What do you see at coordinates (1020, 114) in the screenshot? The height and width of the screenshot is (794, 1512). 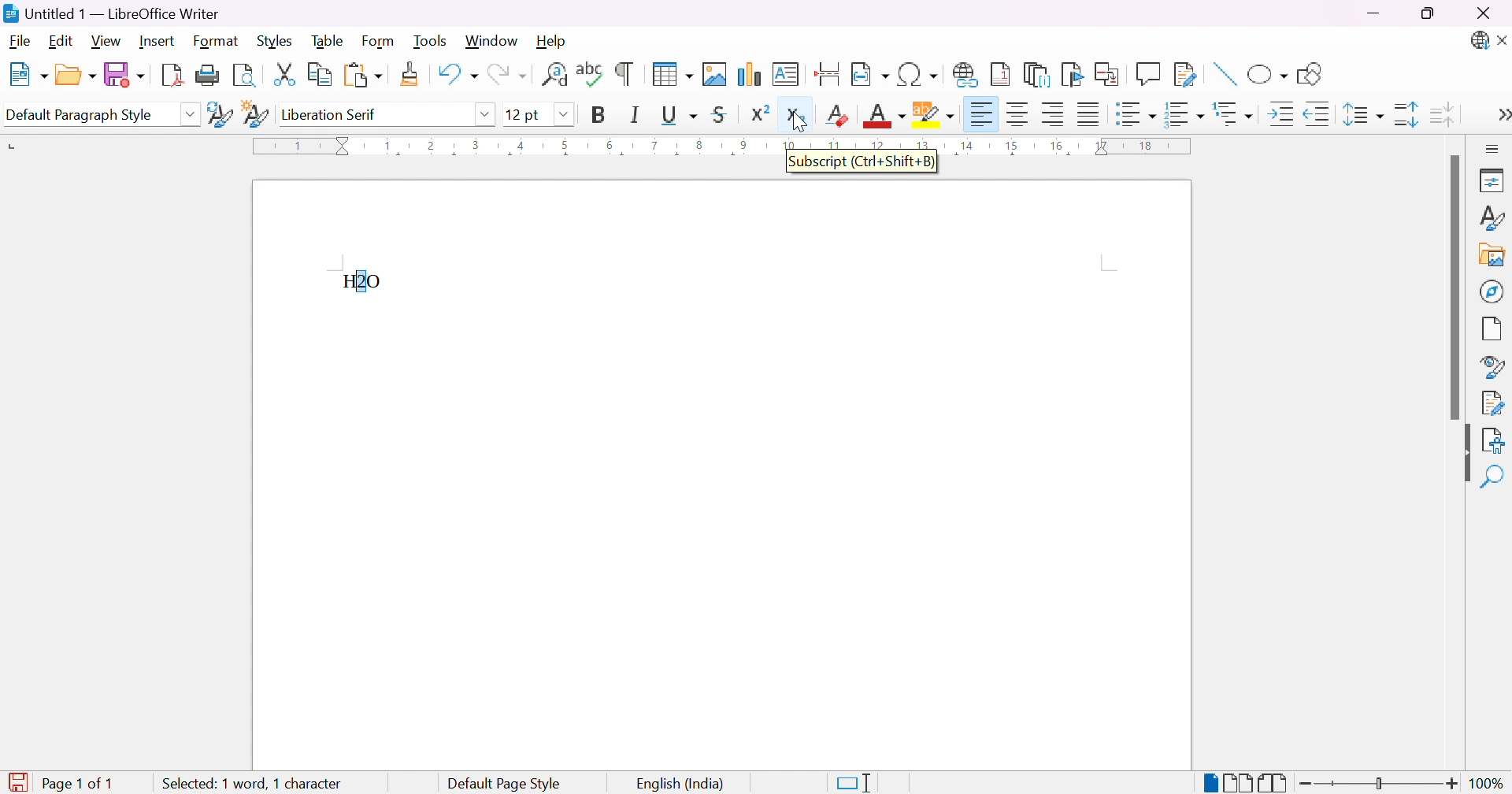 I see `Align center` at bounding box center [1020, 114].